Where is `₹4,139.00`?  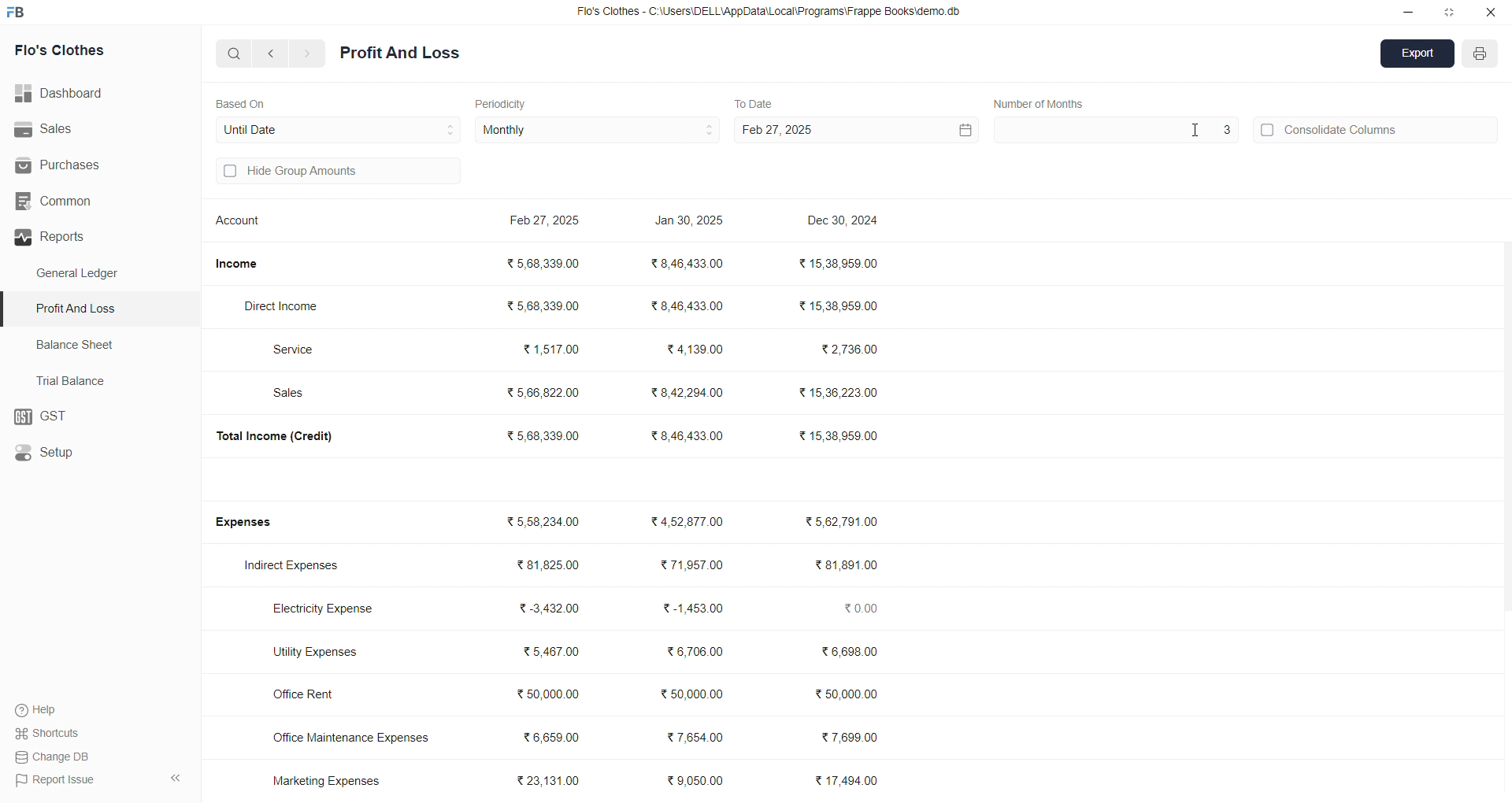 ₹4,139.00 is located at coordinates (695, 350).